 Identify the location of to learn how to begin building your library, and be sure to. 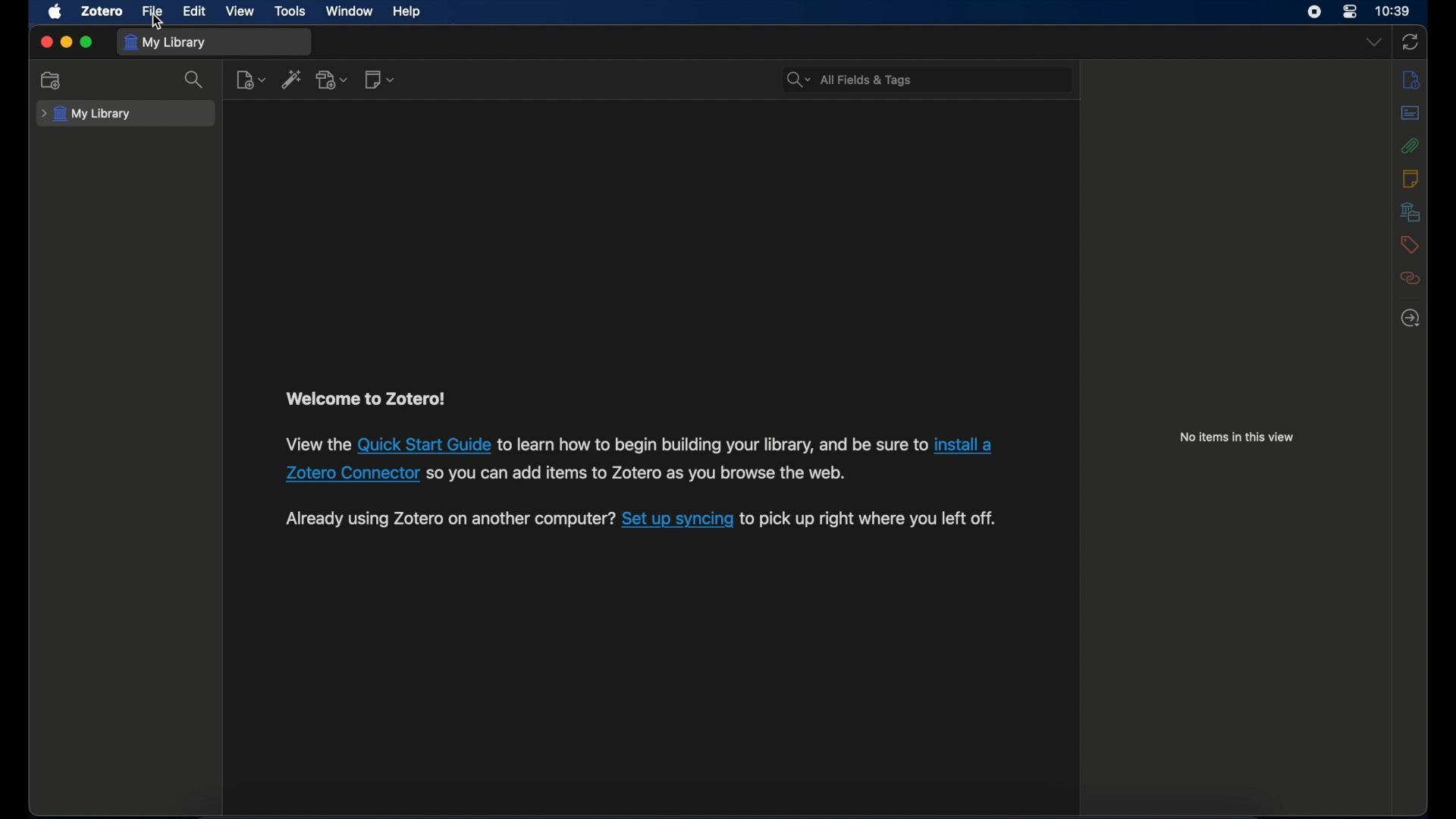
(713, 444).